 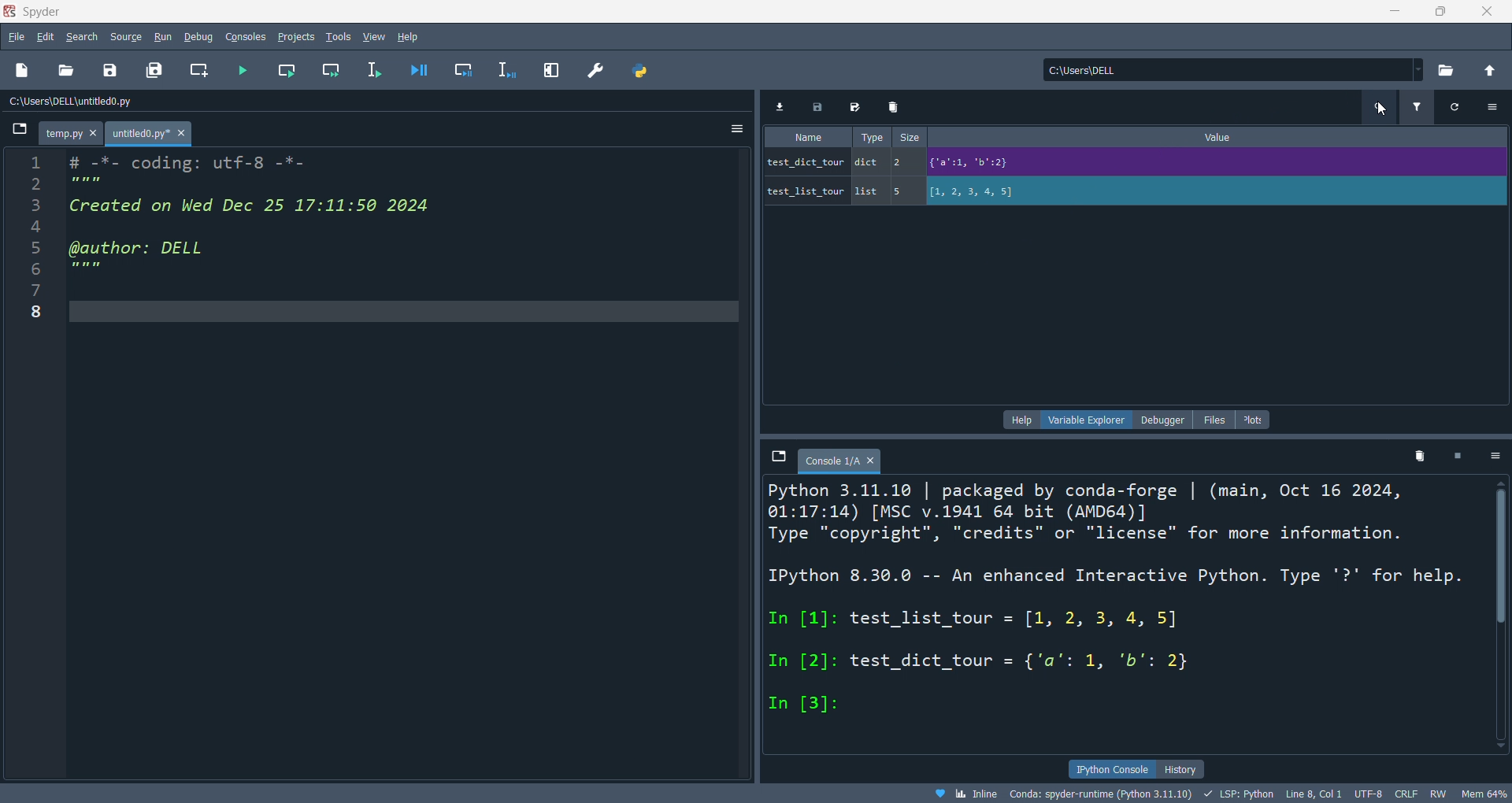 What do you see at coordinates (65, 71) in the screenshot?
I see `open folder` at bounding box center [65, 71].